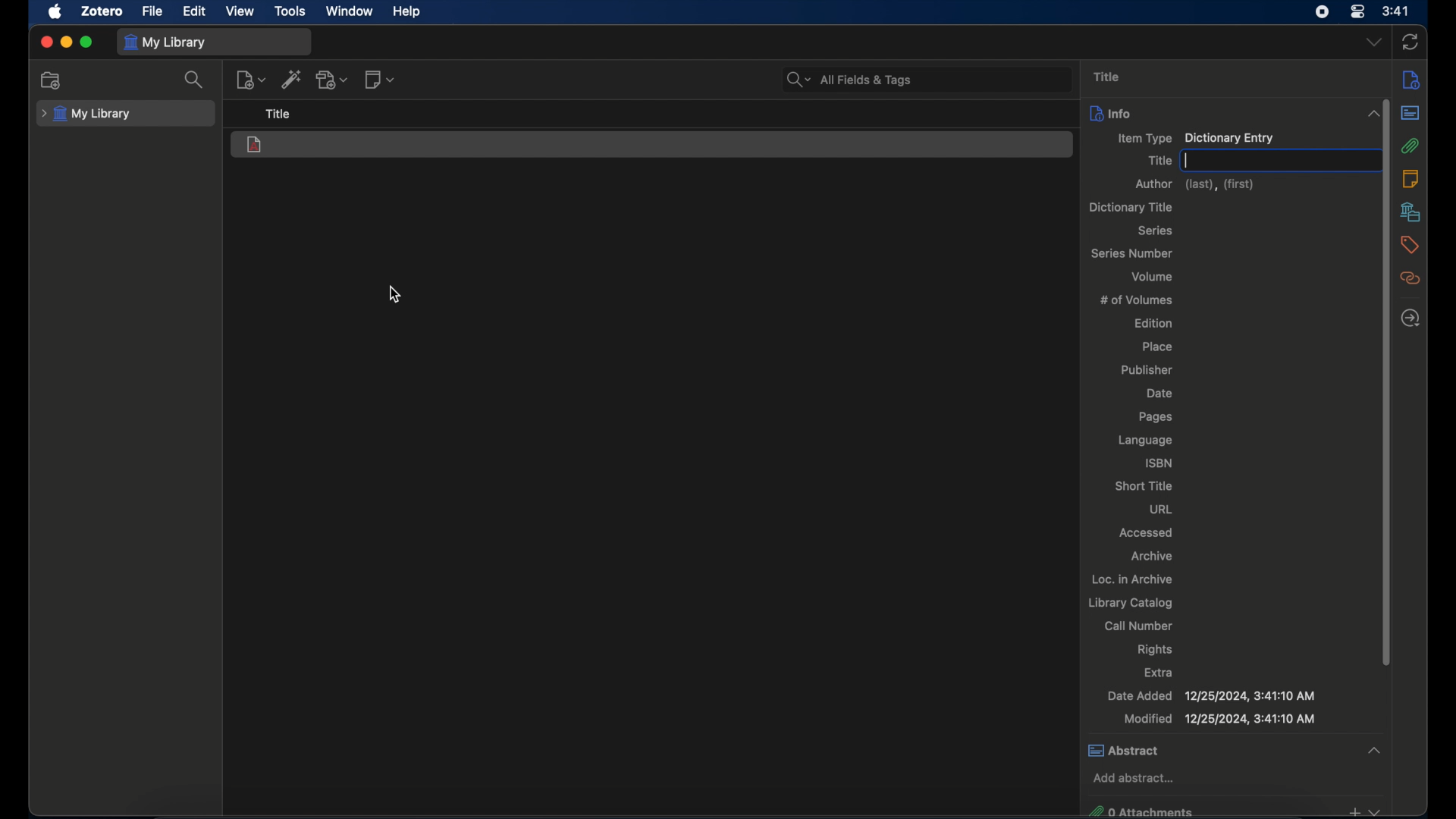  I want to click on scroll box, so click(1387, 381).